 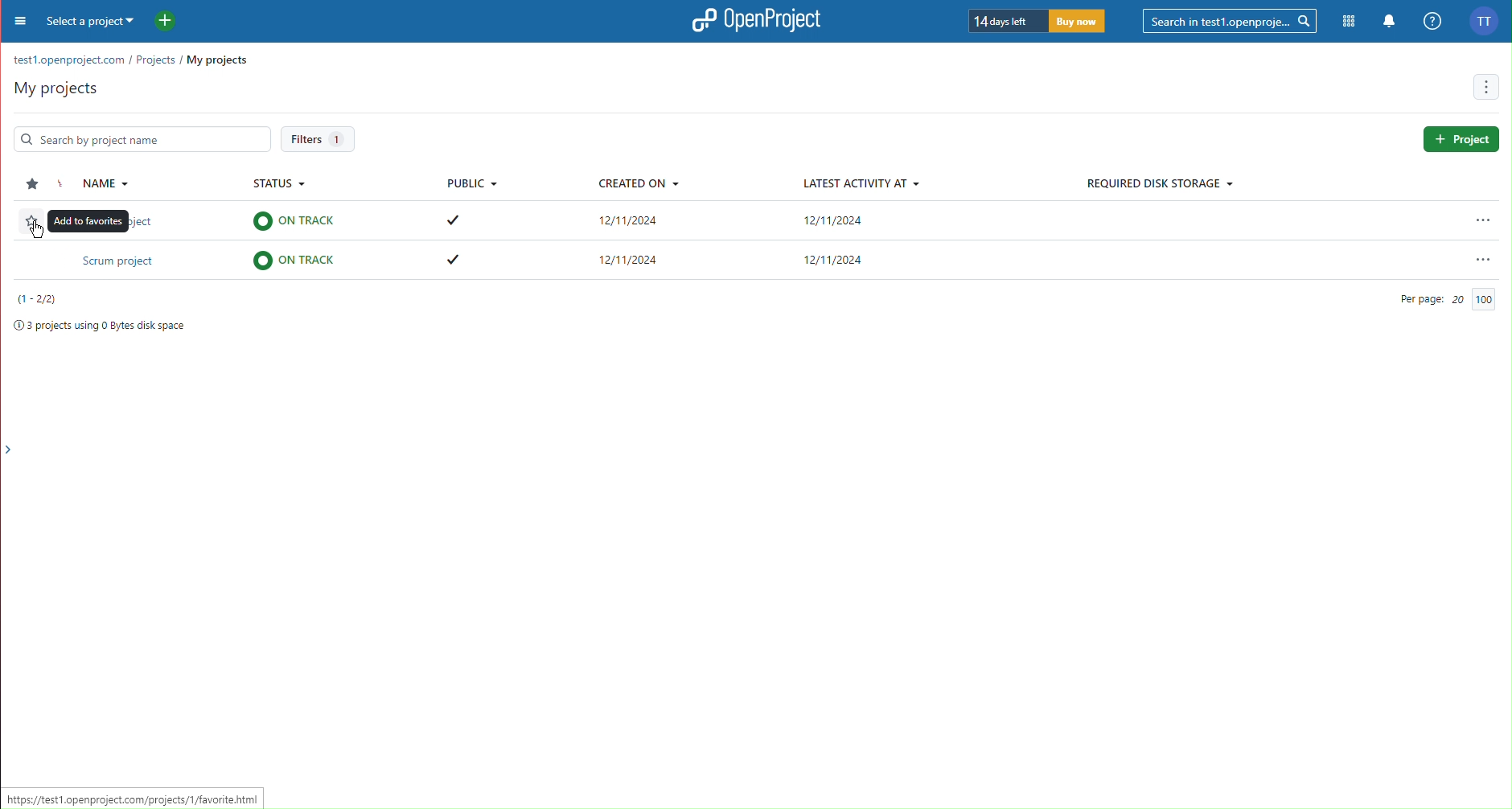 I want to click on Favorites, so click(x=29, y=184).